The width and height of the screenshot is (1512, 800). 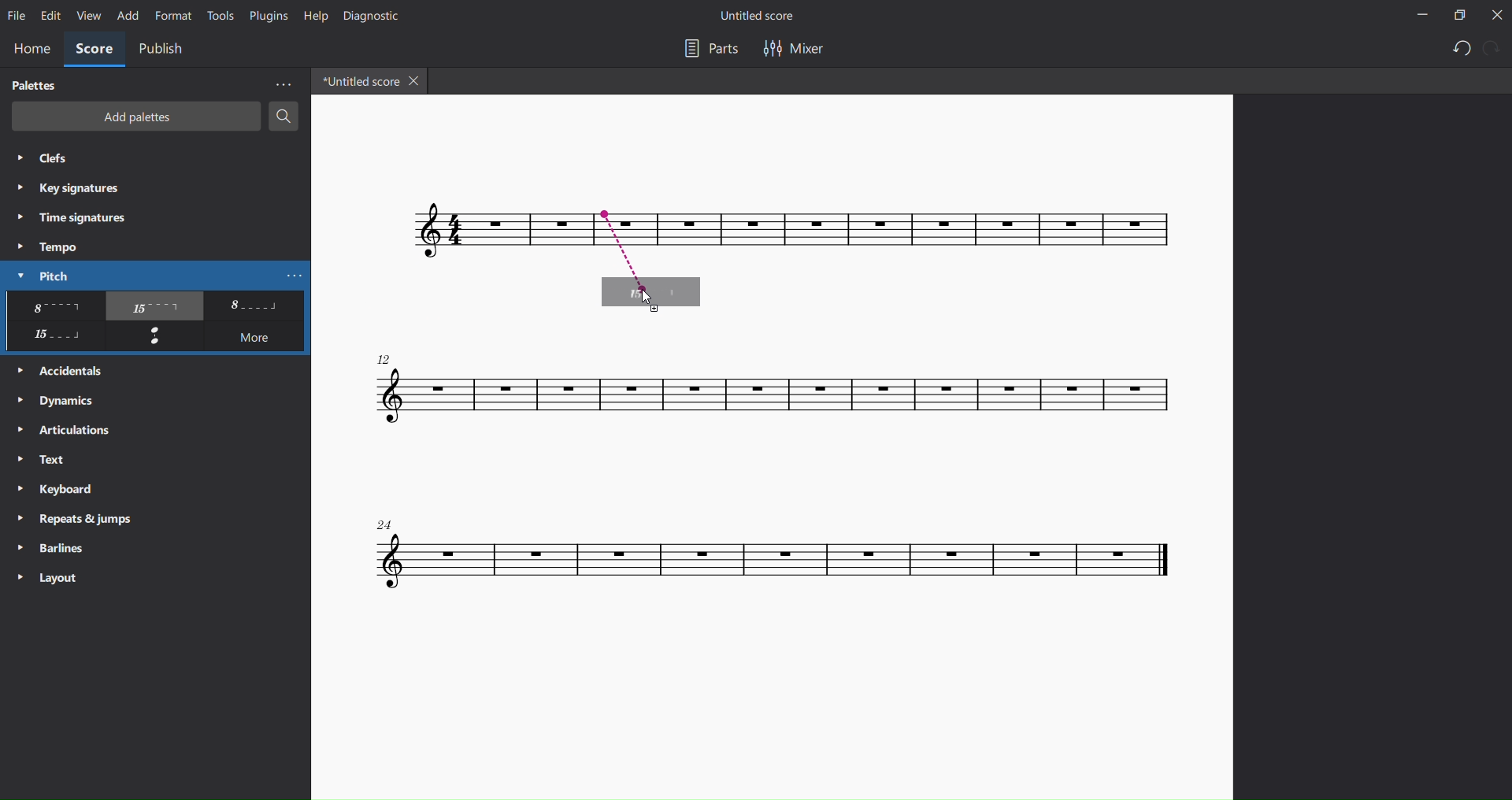 I want to click on cursor, so click(x=647, y=298).